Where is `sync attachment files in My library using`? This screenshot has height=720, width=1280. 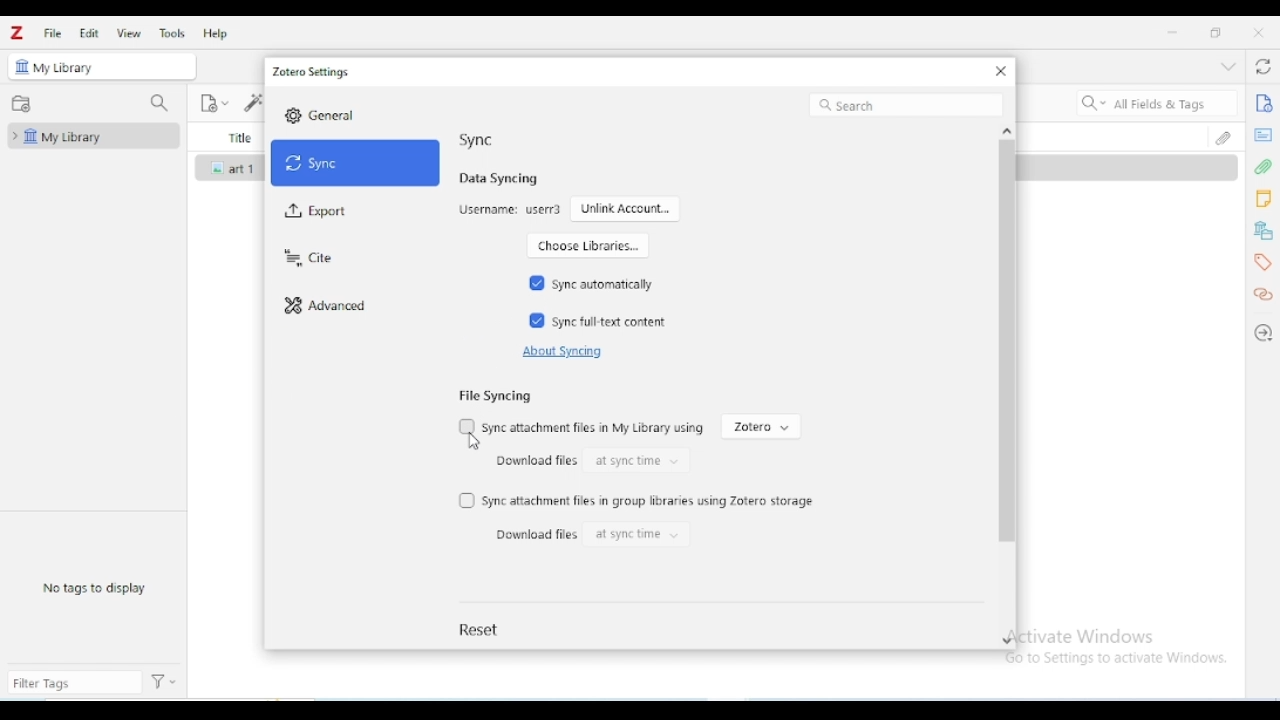 sync attachment files in My library using is located at coordinates (594, 428).